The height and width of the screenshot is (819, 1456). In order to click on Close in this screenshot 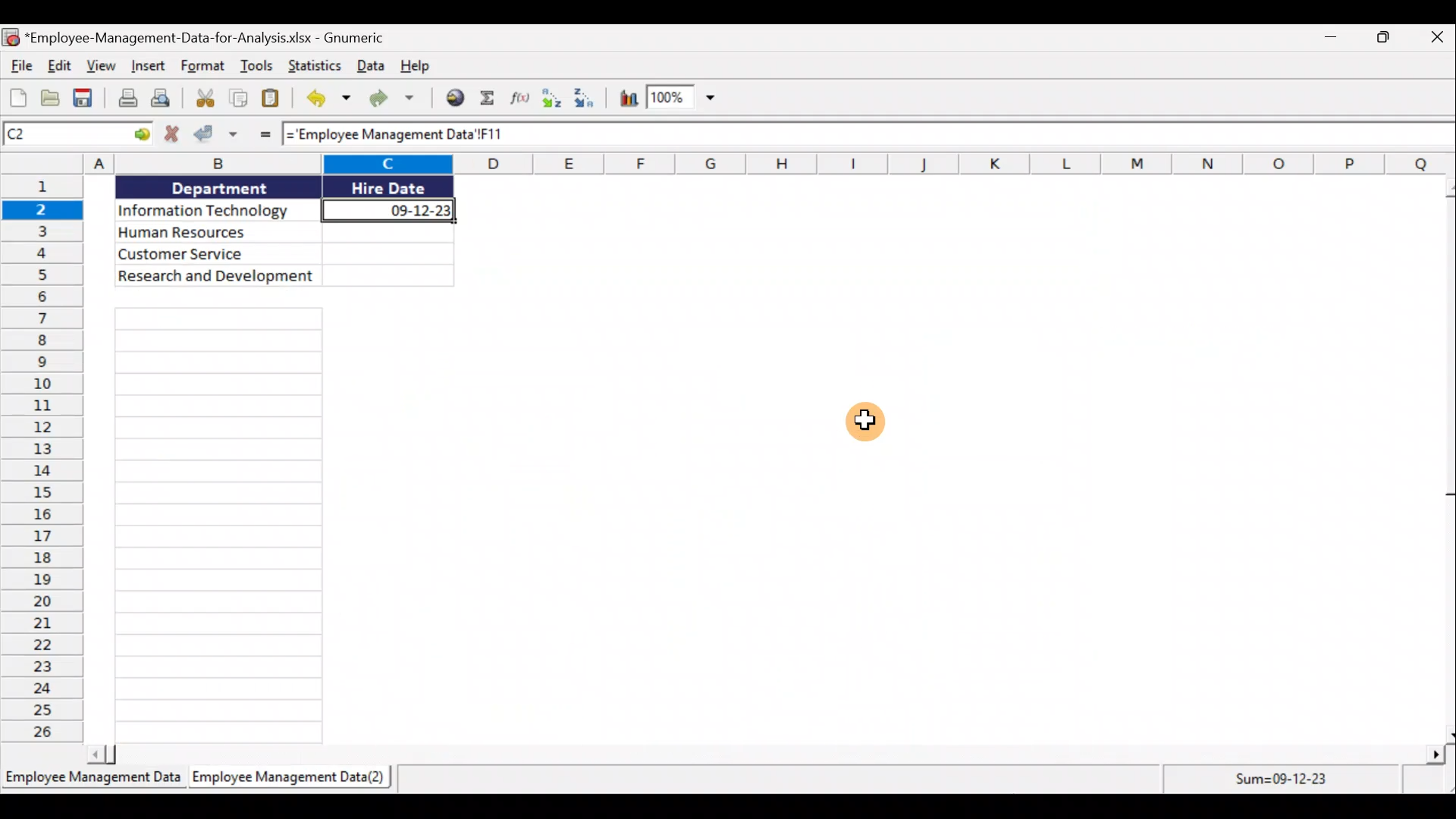, I will do `click(1439, 38)`.